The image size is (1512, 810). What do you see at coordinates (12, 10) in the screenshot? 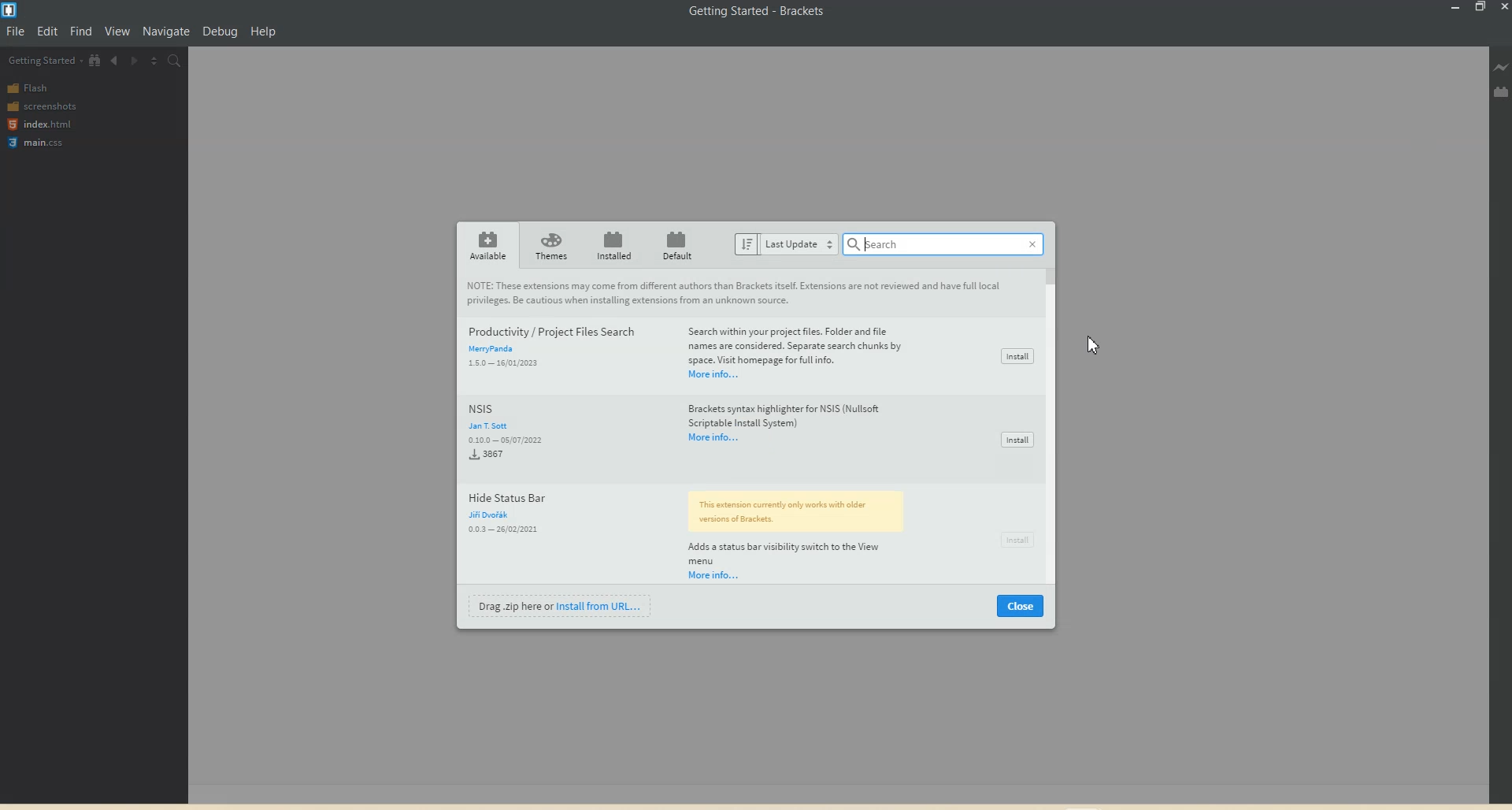
I see `Logo` at bounding box center [12, 10].